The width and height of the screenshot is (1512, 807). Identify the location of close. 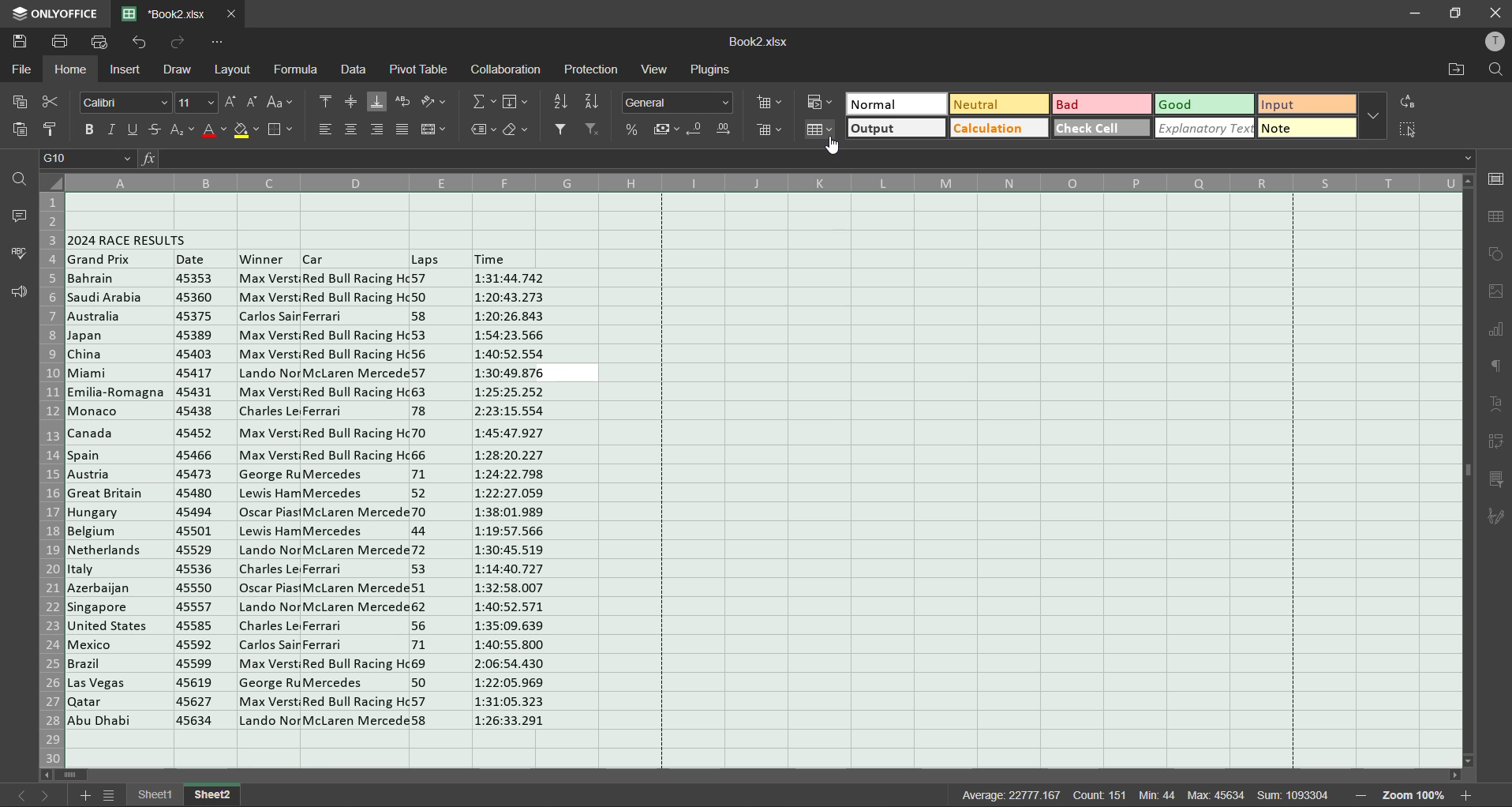
(1495, 13).